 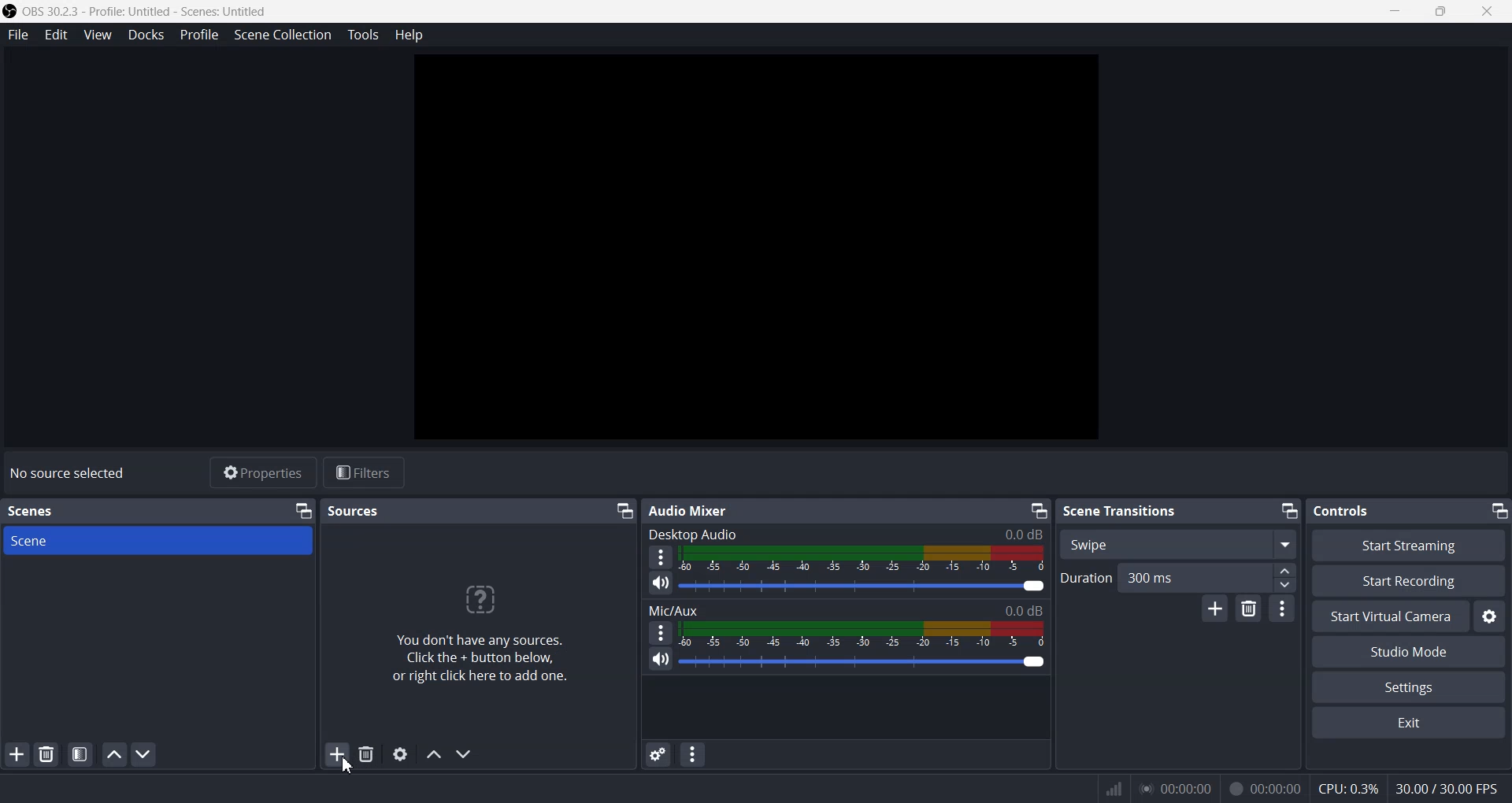 I want to click on CPU:0.3%, so click(x=1347, y=787).